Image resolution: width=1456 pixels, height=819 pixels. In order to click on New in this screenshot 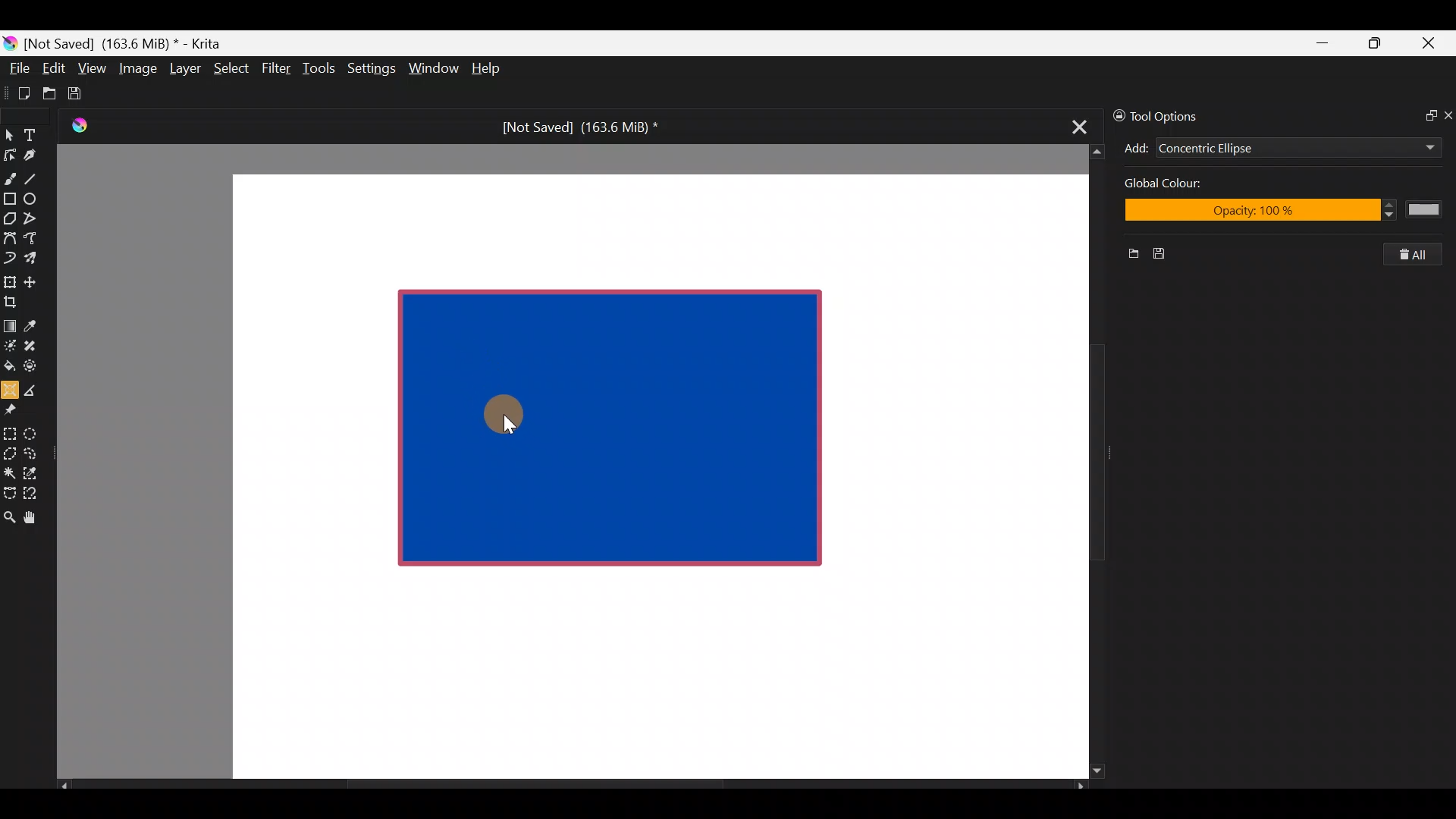, I will do `click(1128, 256)`.